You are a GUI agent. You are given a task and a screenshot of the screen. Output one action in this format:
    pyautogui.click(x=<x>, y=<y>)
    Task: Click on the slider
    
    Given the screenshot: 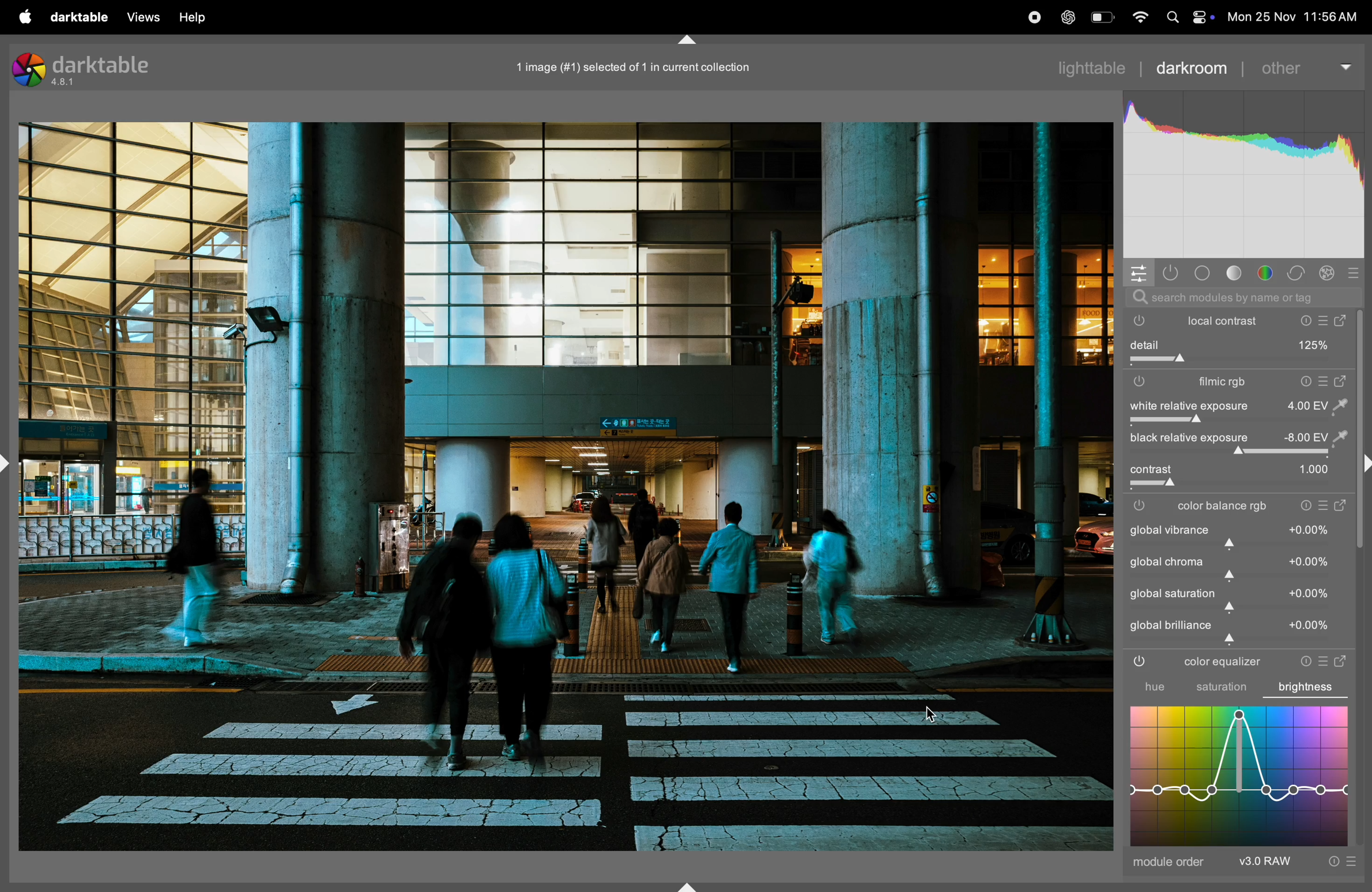 What is the action you would take?
    pyautogui.click(x=1243, y=641)
    